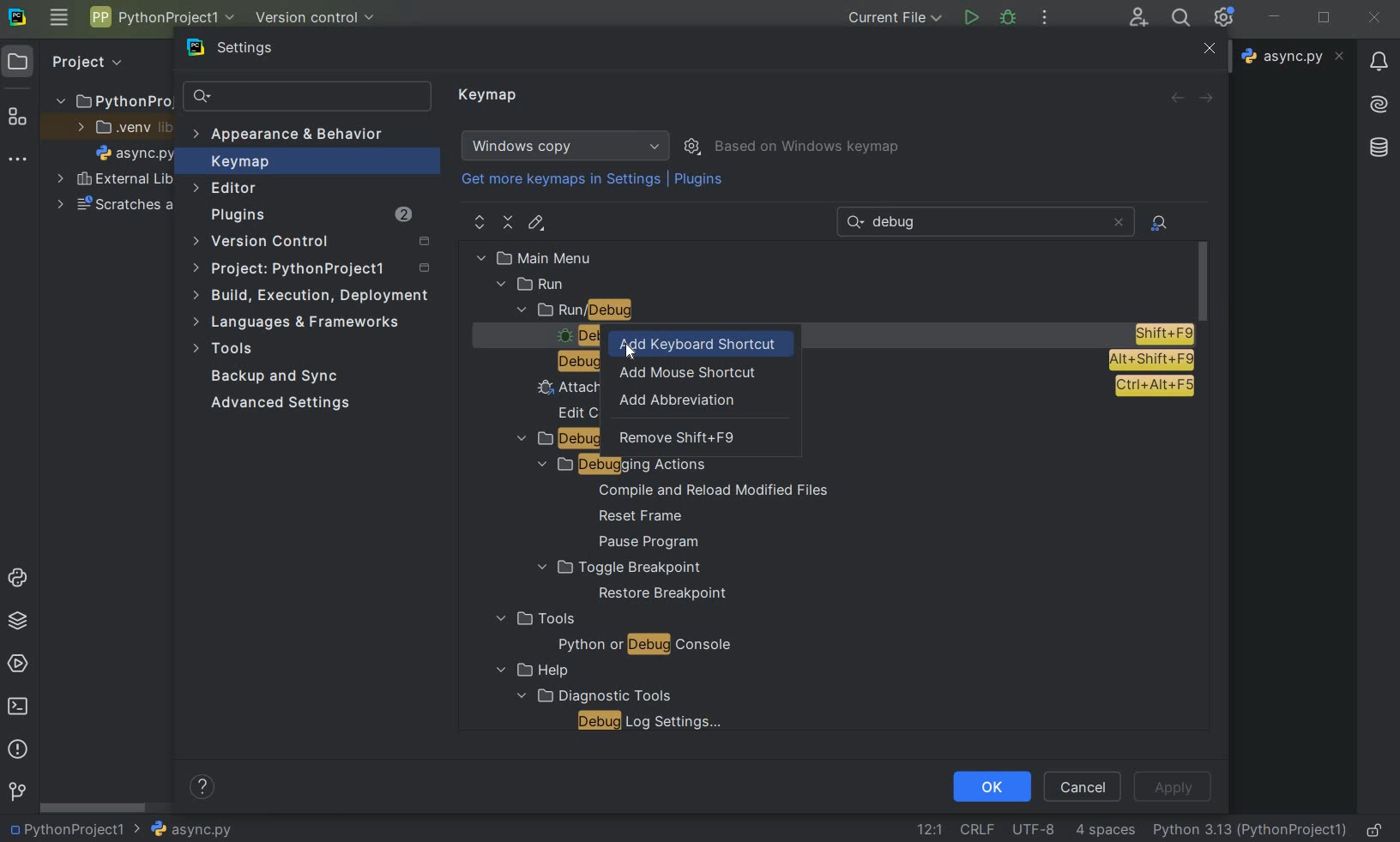  I want to click on close, so click(1207, 50).